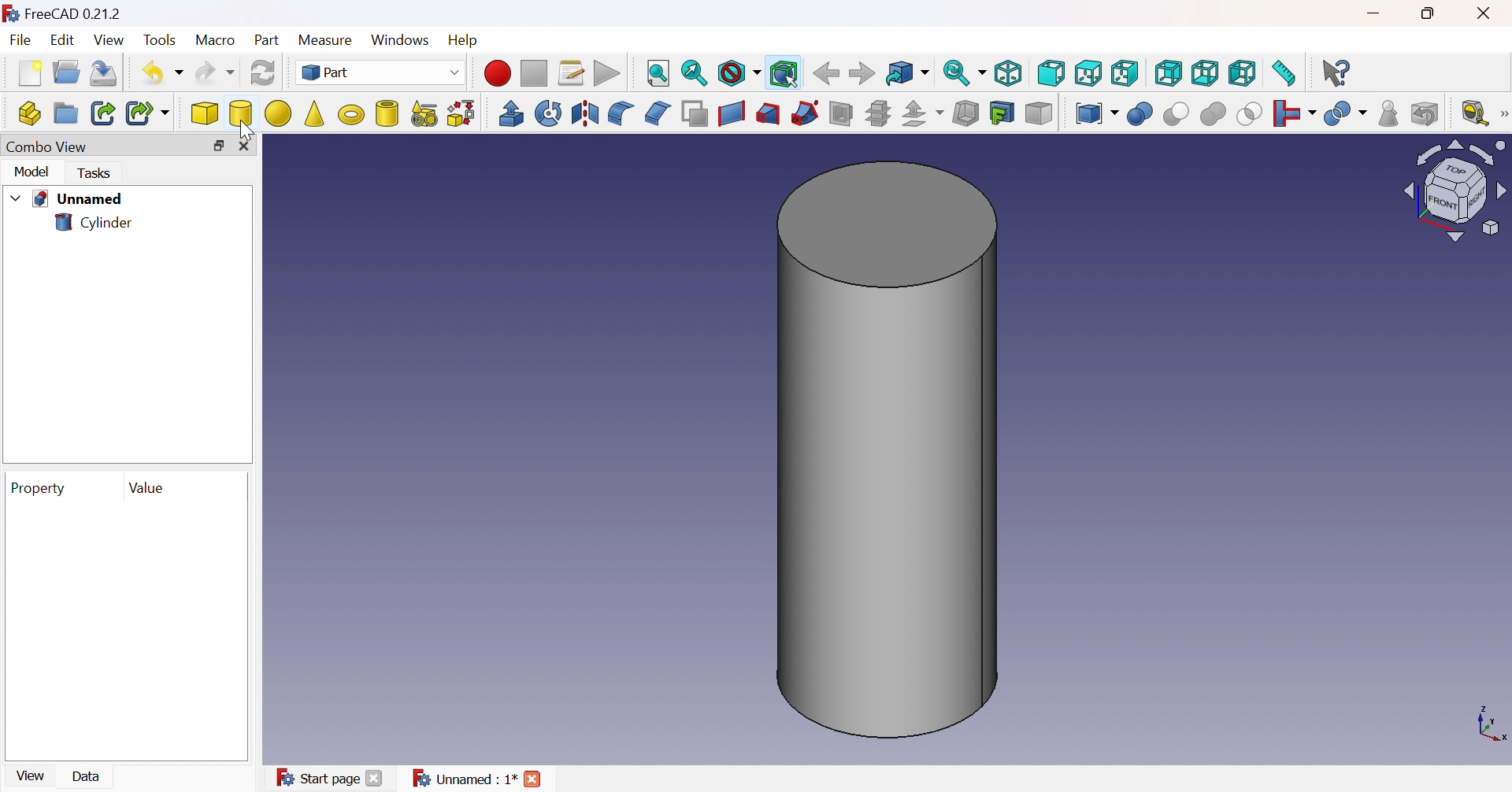 Image resolution: width=1512 pixels, height=792 pixels. Describe the element at coordinates (93, 224) in the screenshot. I see `cylinder` at that location.